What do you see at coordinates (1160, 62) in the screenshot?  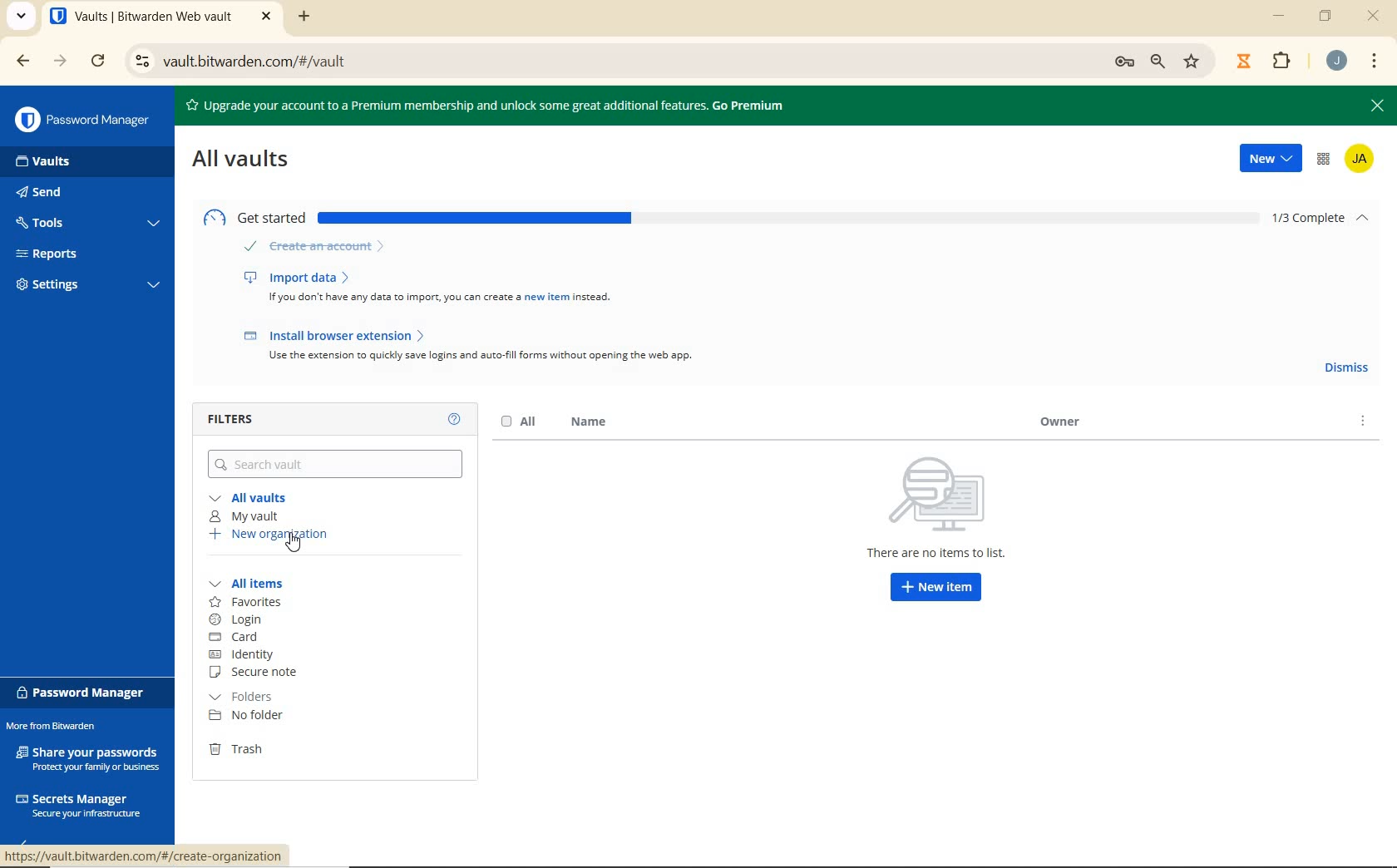 I see `zoom` at bounding box center [1160, 62].